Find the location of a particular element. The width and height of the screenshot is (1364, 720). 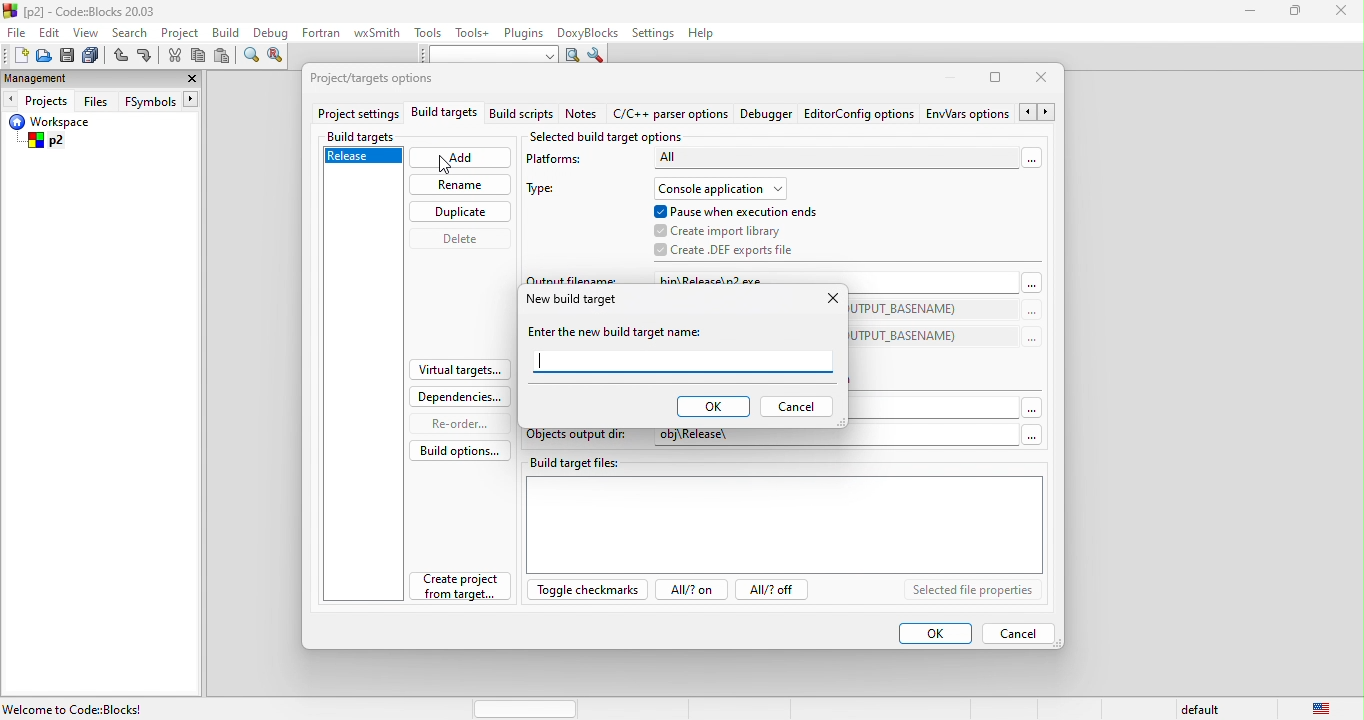

enter the new build target name is located at coordinates (681, 350).